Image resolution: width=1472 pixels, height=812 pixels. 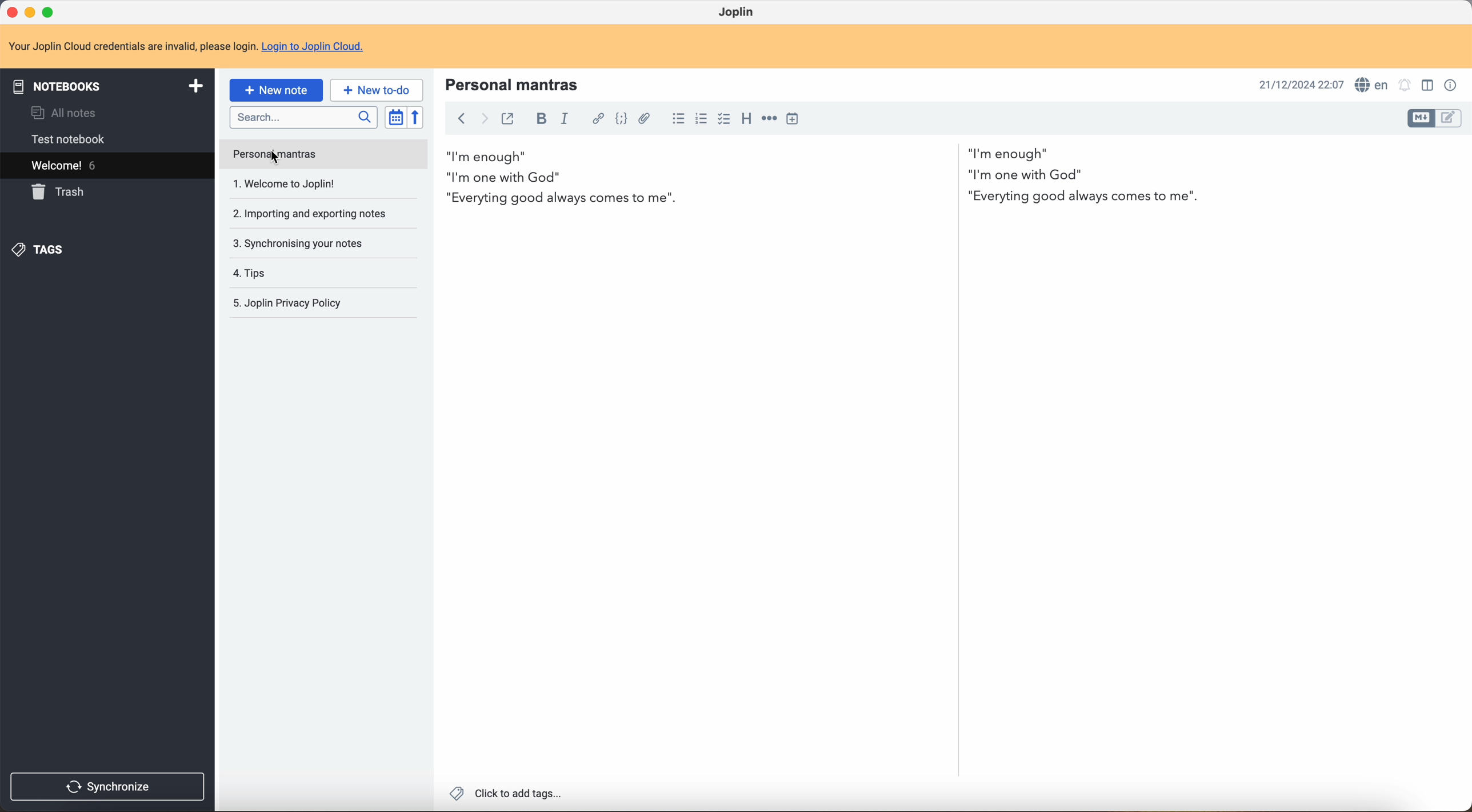 I want to click on foward, so click(x=485, y=118).